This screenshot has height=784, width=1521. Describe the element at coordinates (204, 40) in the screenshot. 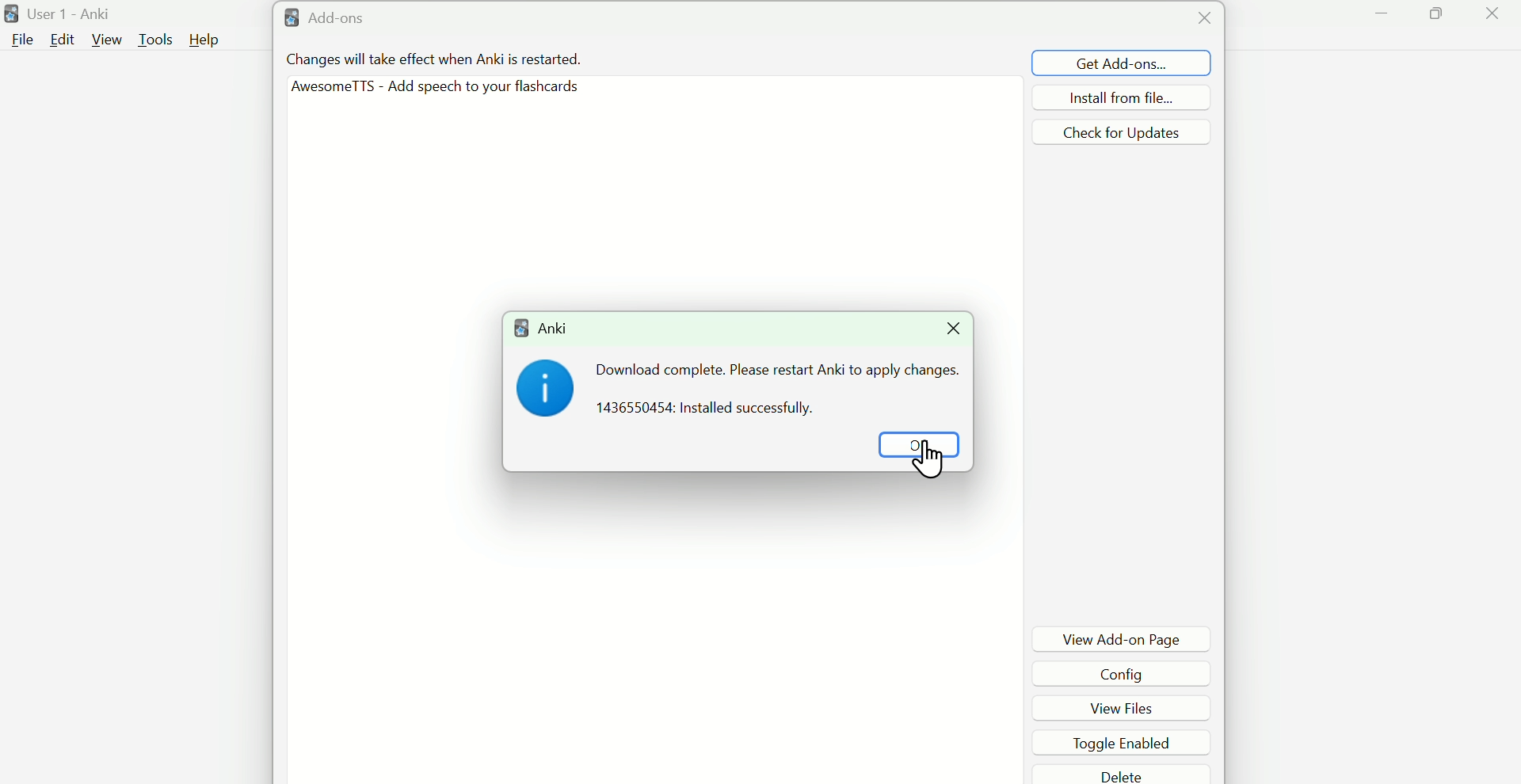

I see `Help` at that location.